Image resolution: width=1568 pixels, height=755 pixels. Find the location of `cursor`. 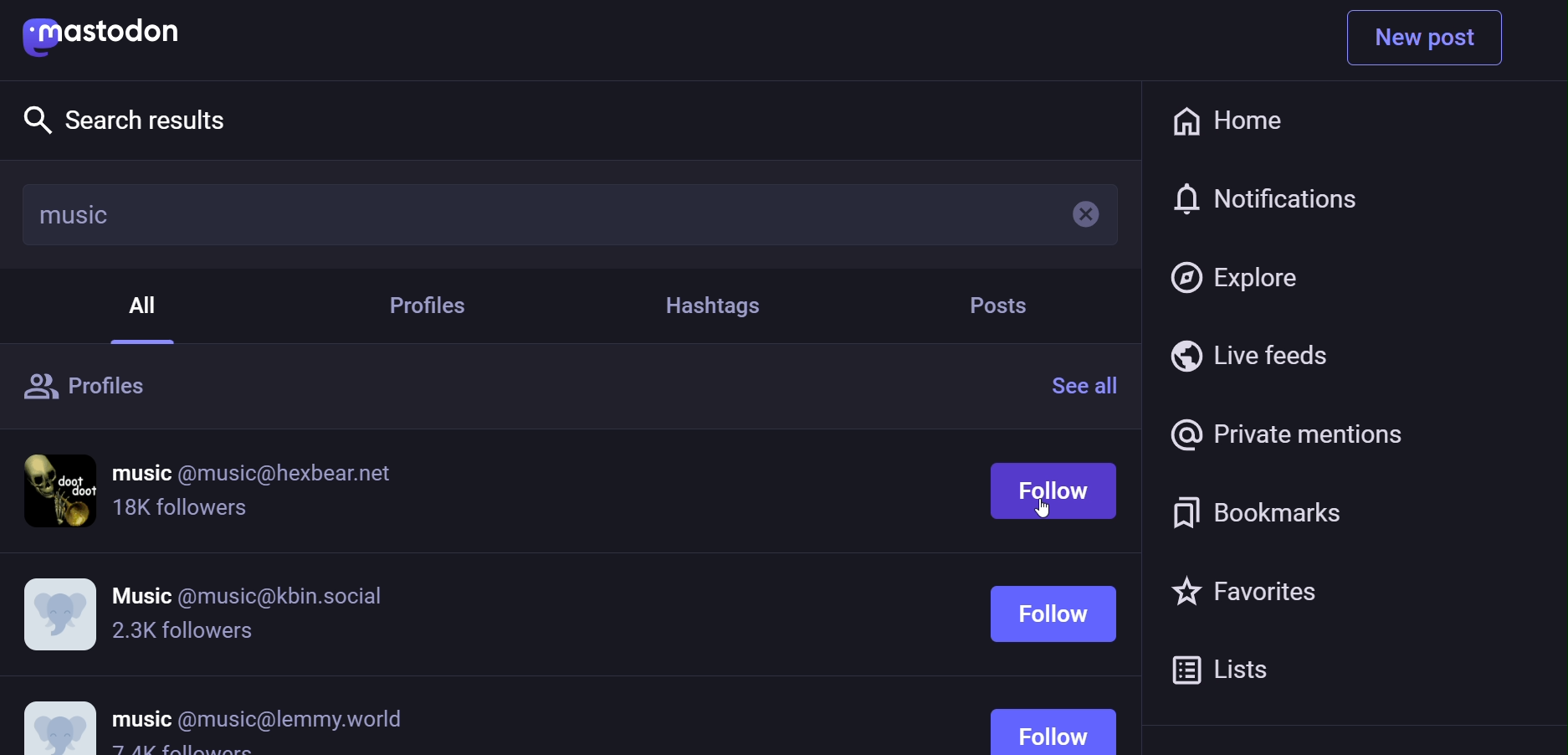

cursor is located at coordinates (1054, 513).